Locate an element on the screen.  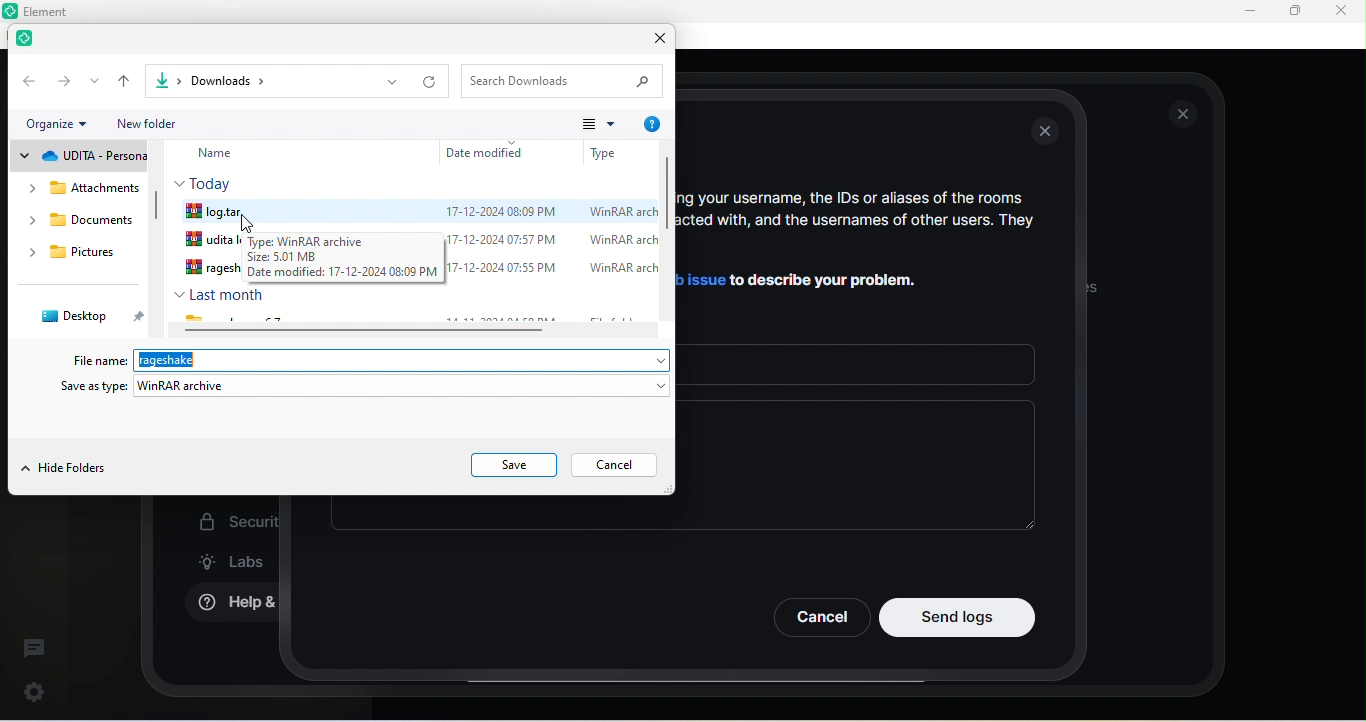
forward is located at coordinates (64, 80).